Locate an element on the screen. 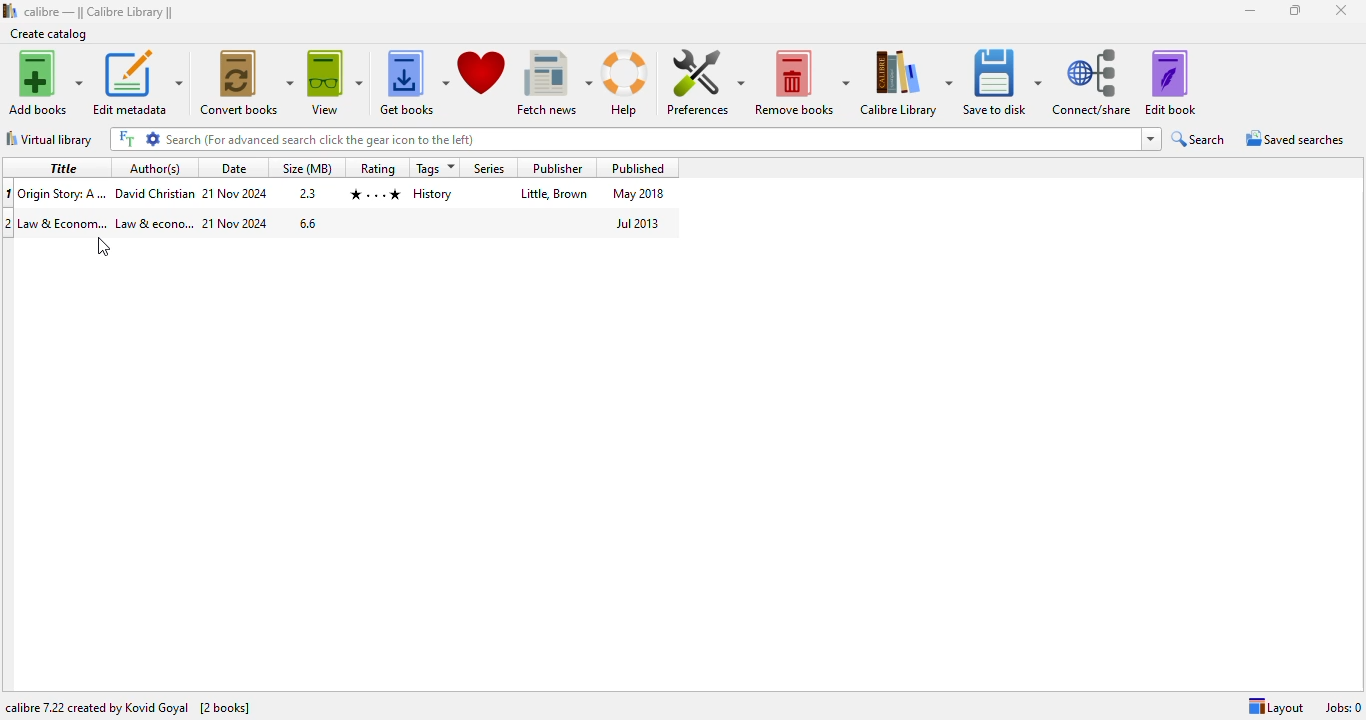 This screenshot has height=720, width=1366. preferences is located at coordinates (702, 83).